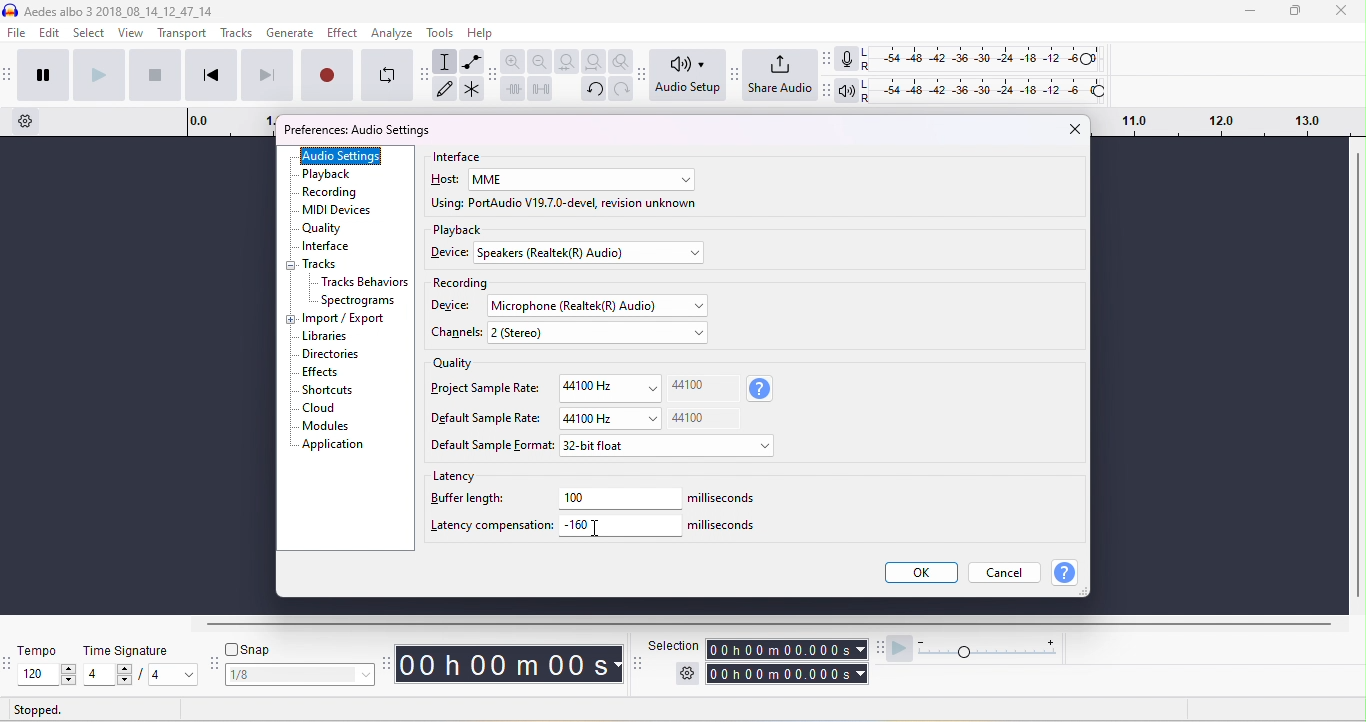  What do you see at coordinates (319, 408) in the screenshot?
I see `cloud` at bounding box center [319, 408].